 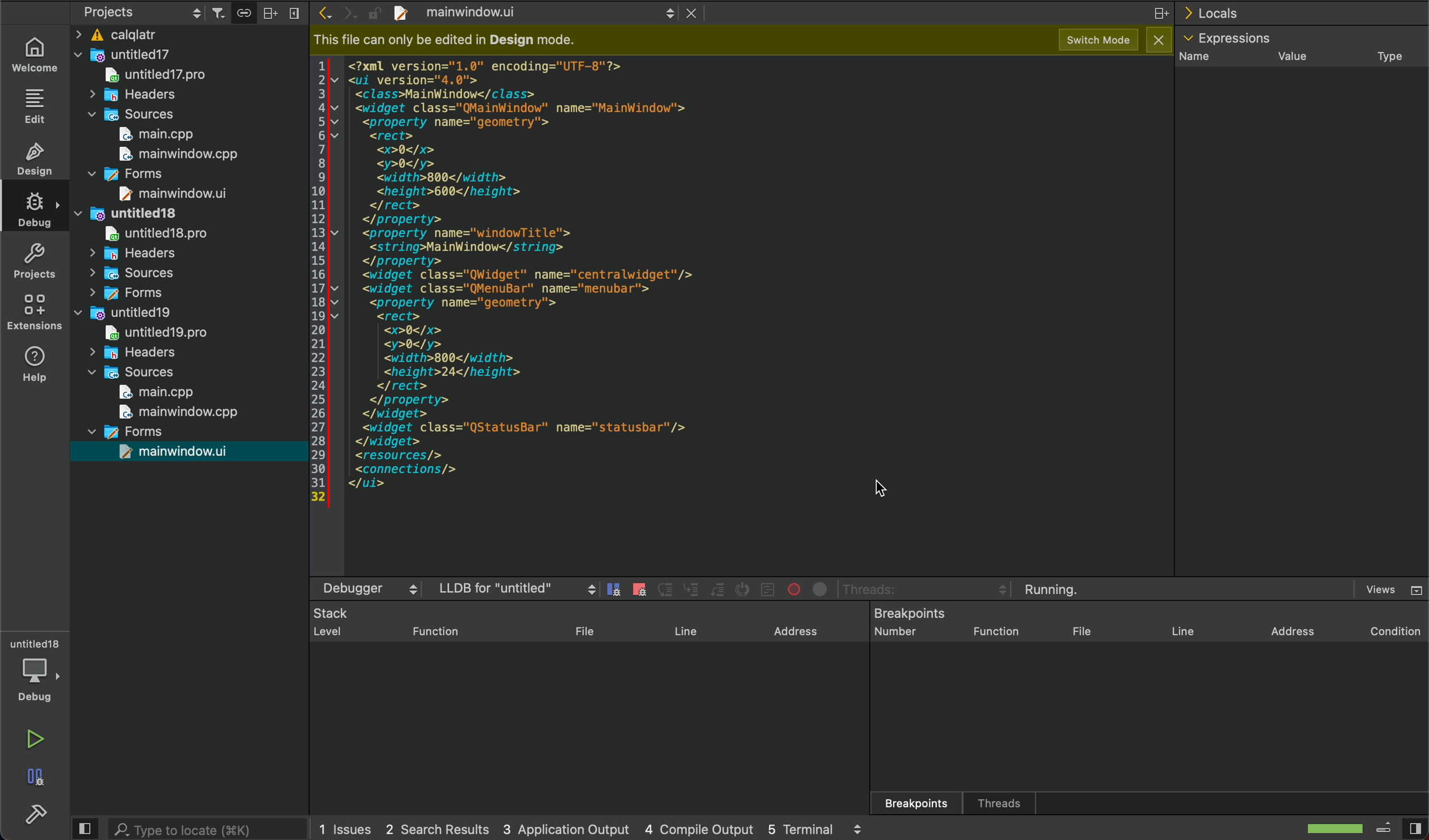 I want to click on cursor, so click(x=873, y=491).